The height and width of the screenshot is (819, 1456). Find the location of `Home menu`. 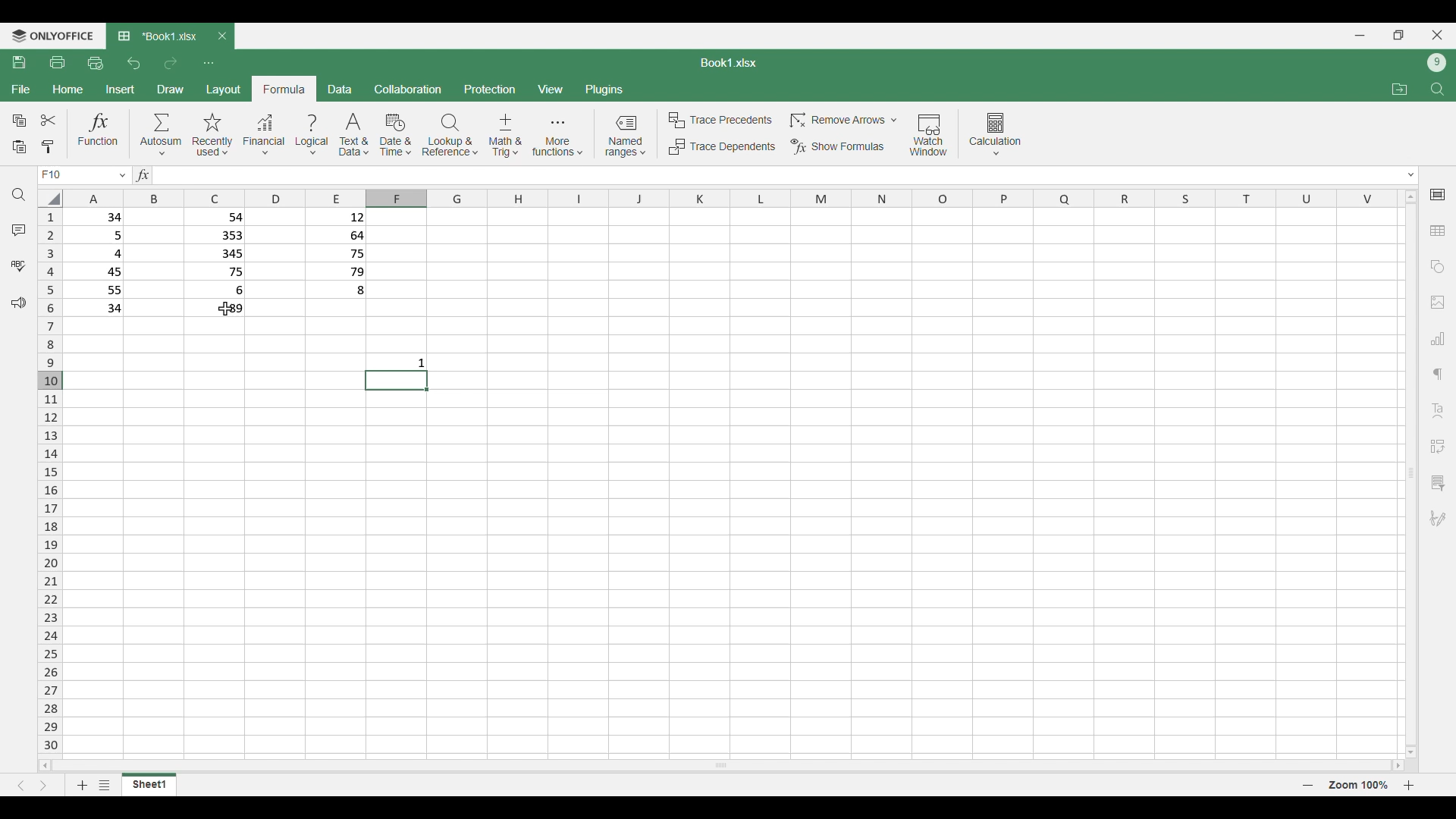

Home menu is located at coordinates (67, 89).